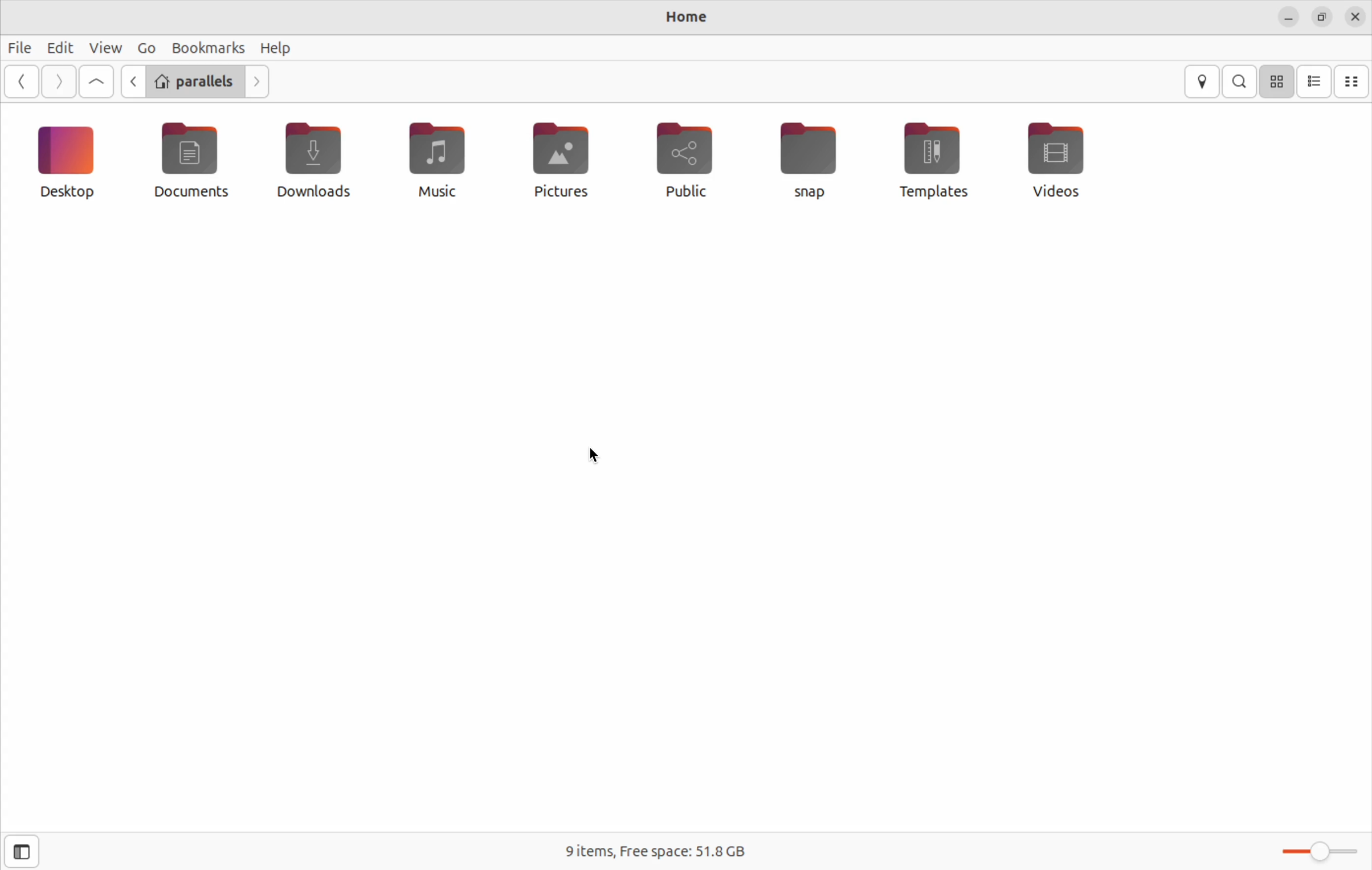 Image resolution: width=1372 pixels, height=870 pixels. What do you see at coordinates (315, 160) in the screenshot?
I see `downloads` at bounding box center [315, 160].